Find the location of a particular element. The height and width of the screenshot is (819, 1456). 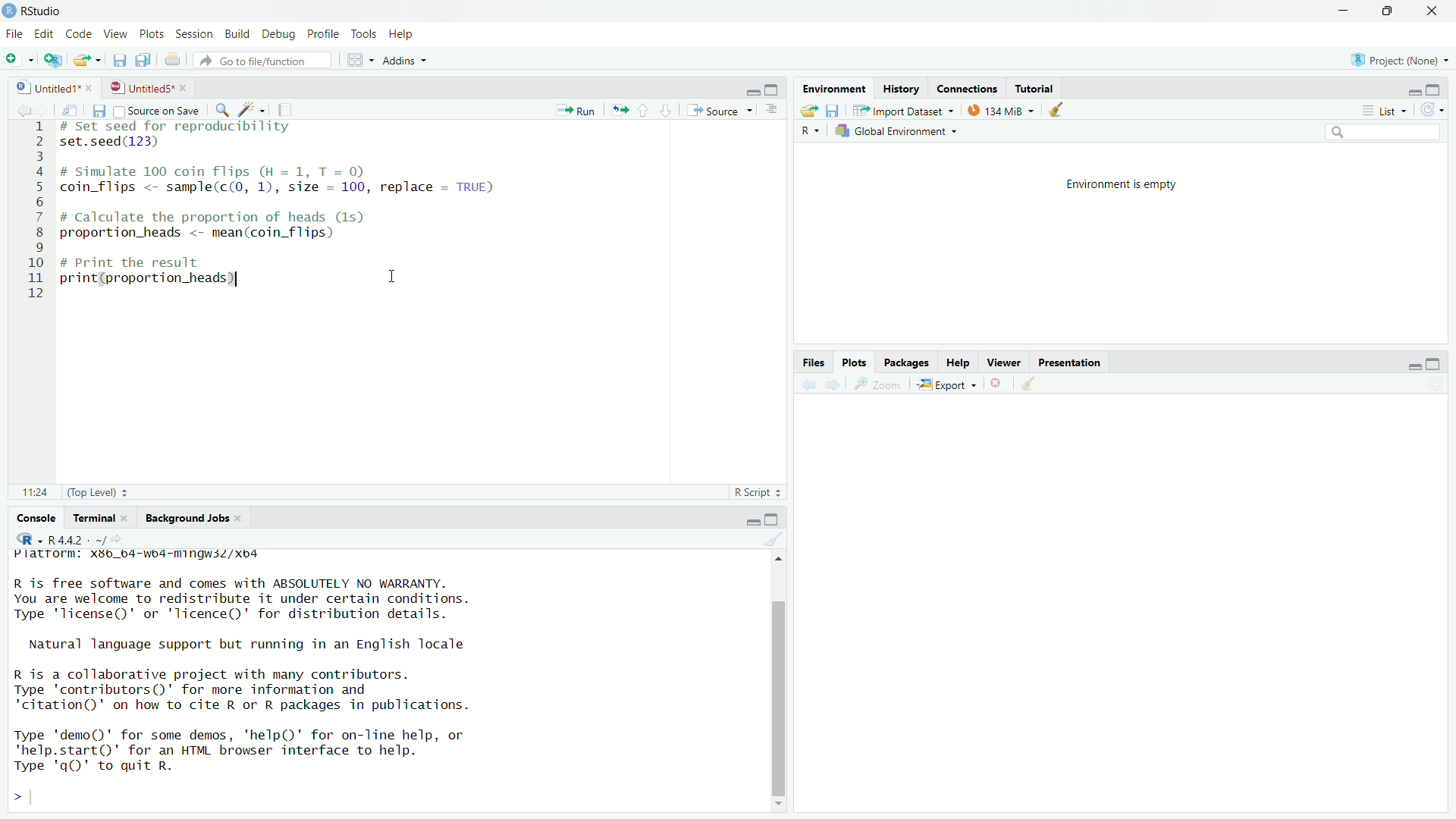

plots is located at coordinates (150, 34).